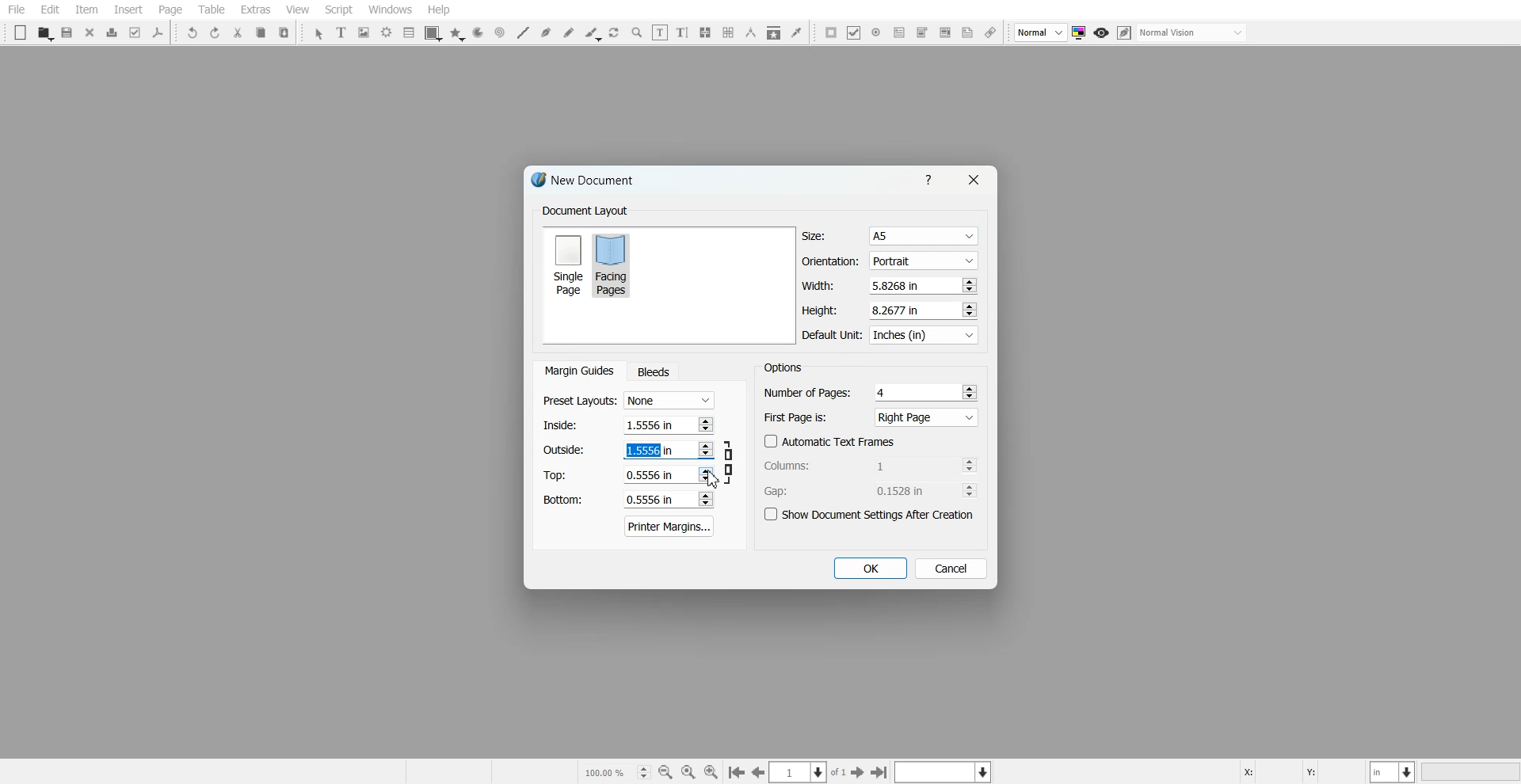 The image size is (1521, 784). Describe the element at coordinates (578, 371) in the screenshot. I see `Margin Guides` at that location.